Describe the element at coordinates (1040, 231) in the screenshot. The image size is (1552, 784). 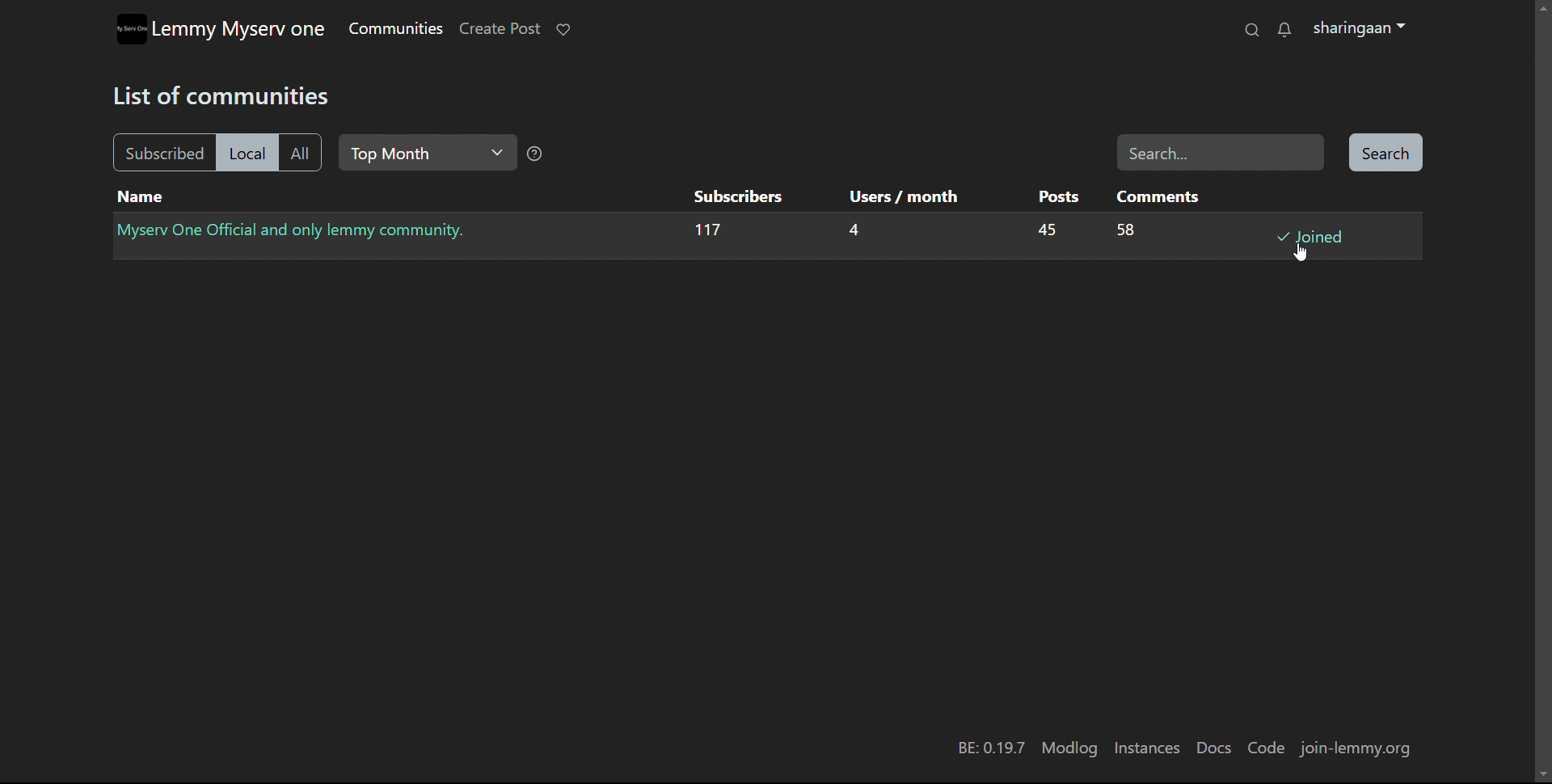
I see `45` at that location.